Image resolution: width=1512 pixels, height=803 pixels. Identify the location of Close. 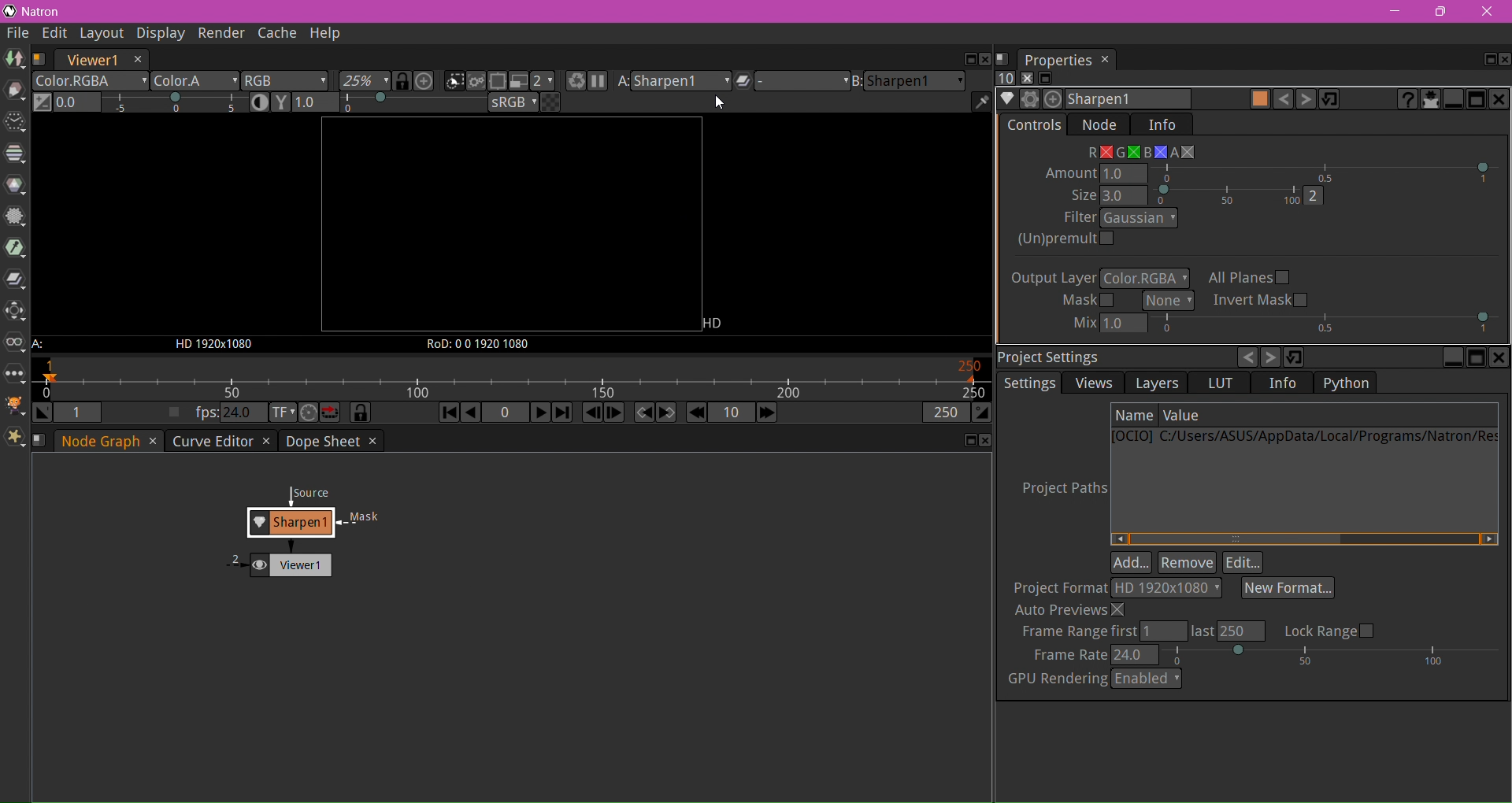
(1504, 60).